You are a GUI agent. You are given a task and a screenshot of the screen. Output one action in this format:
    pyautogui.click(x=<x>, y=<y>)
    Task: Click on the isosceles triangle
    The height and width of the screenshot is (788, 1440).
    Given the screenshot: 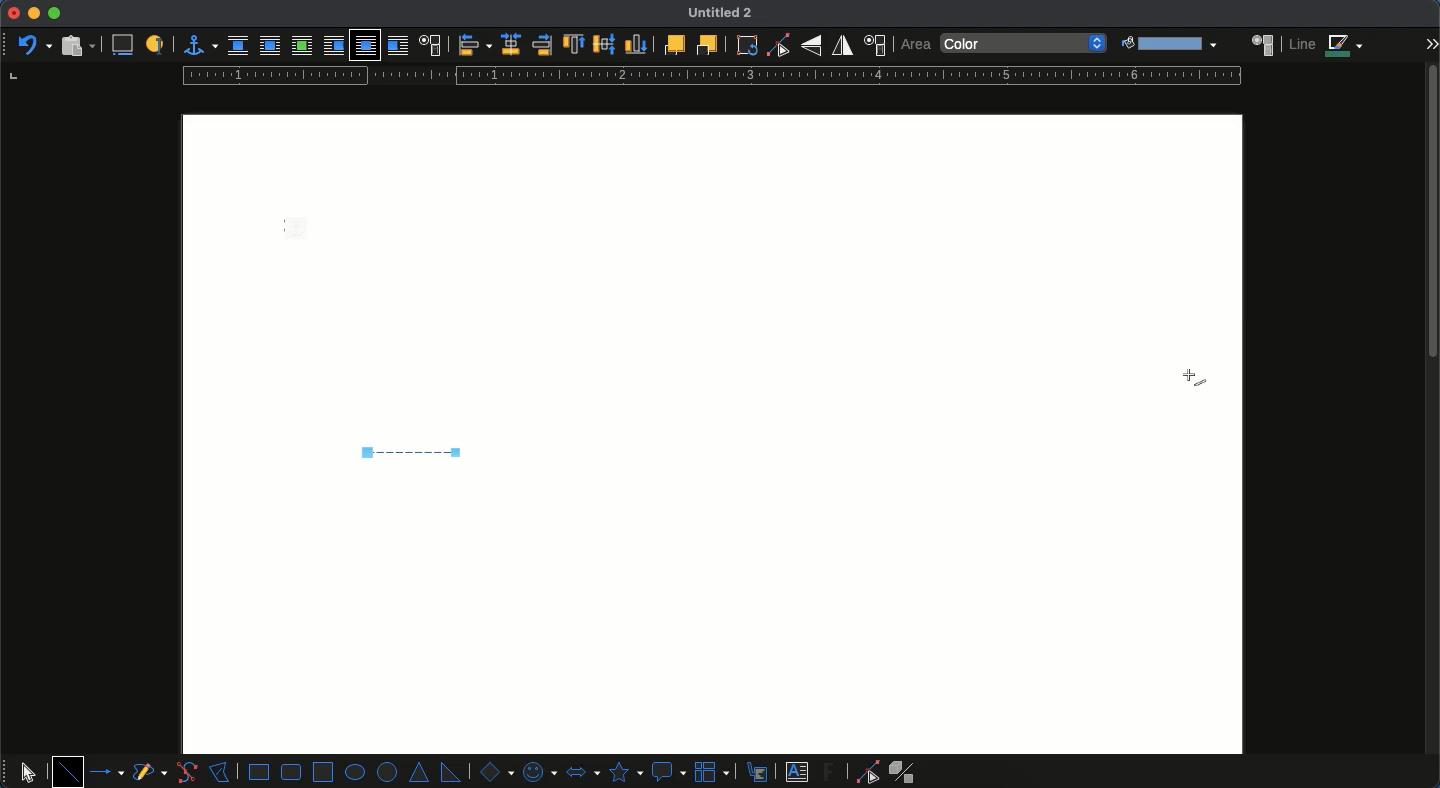 What is the action you would take?
    pyautogui.click(x=421, y=773)
    